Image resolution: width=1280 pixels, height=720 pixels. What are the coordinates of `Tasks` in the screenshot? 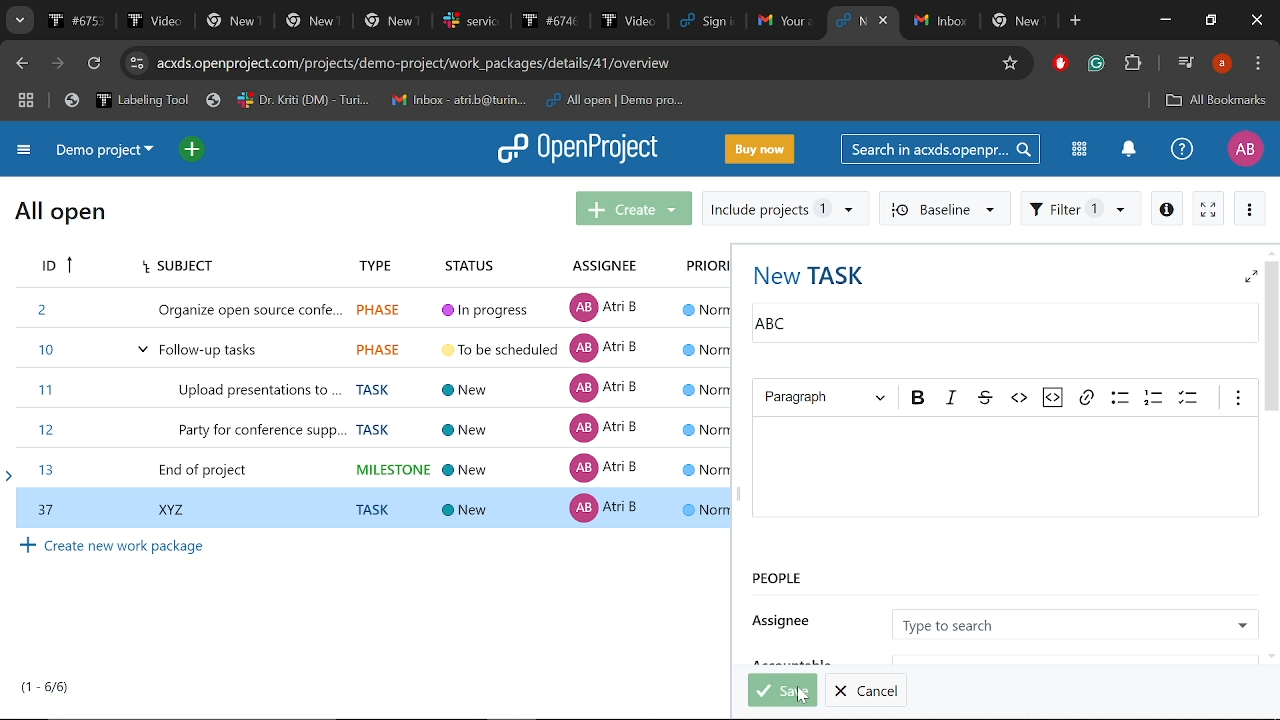 It's located at (46, 687).